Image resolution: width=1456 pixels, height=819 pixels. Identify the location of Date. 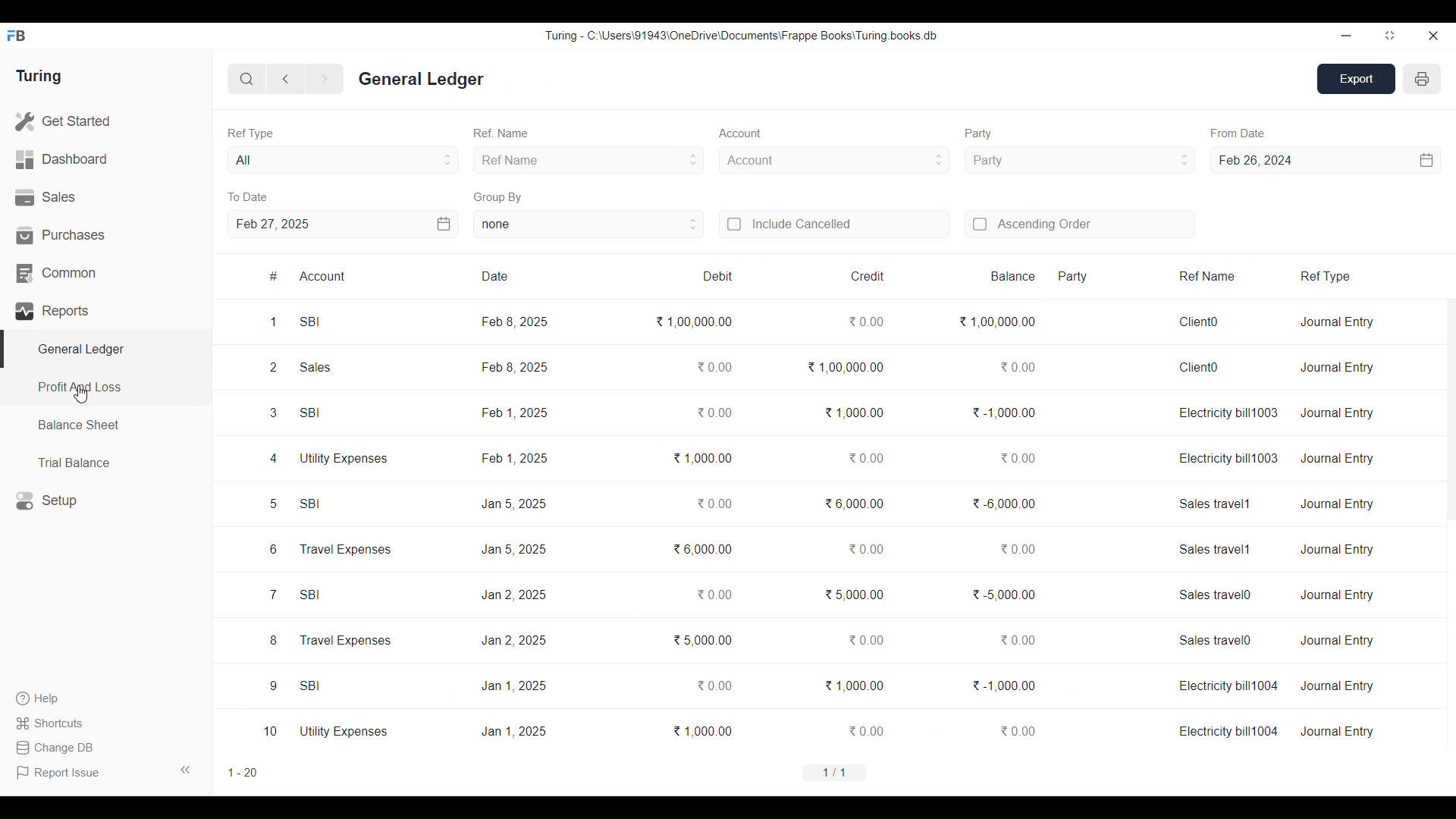
(529, 277).